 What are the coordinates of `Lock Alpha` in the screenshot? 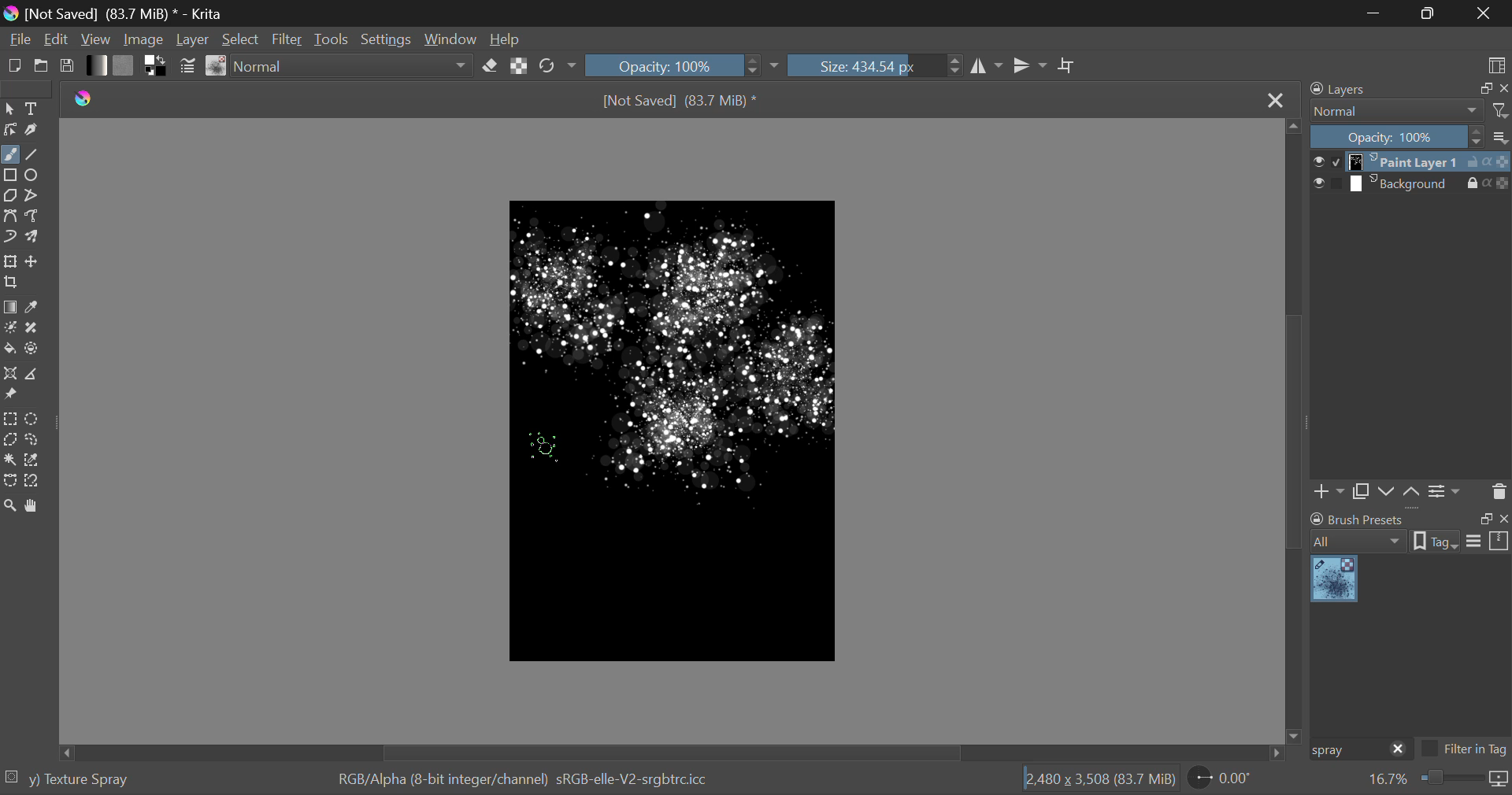 It's located at (520, 65).